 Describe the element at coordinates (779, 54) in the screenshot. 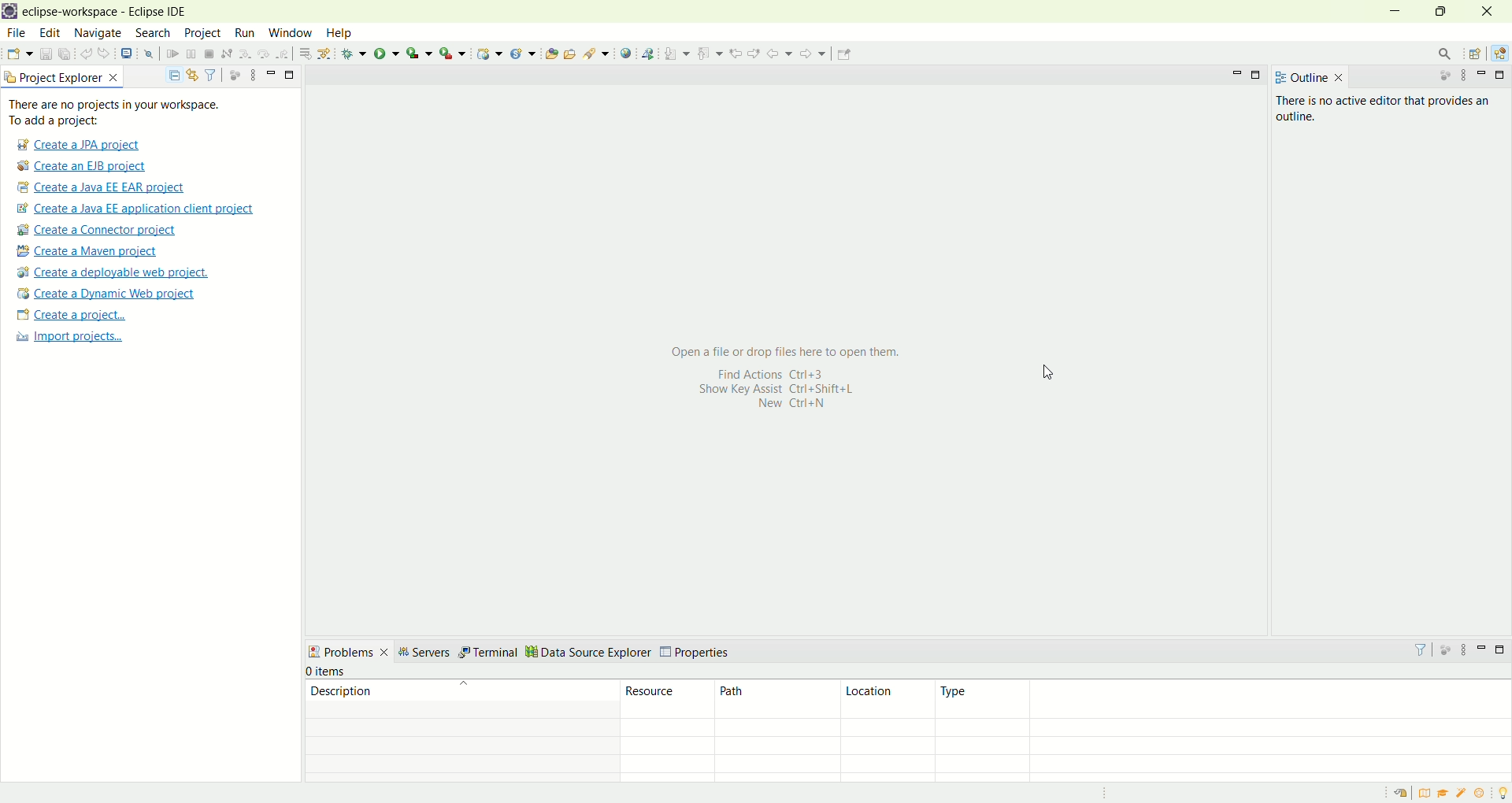

I see `back` at that location.